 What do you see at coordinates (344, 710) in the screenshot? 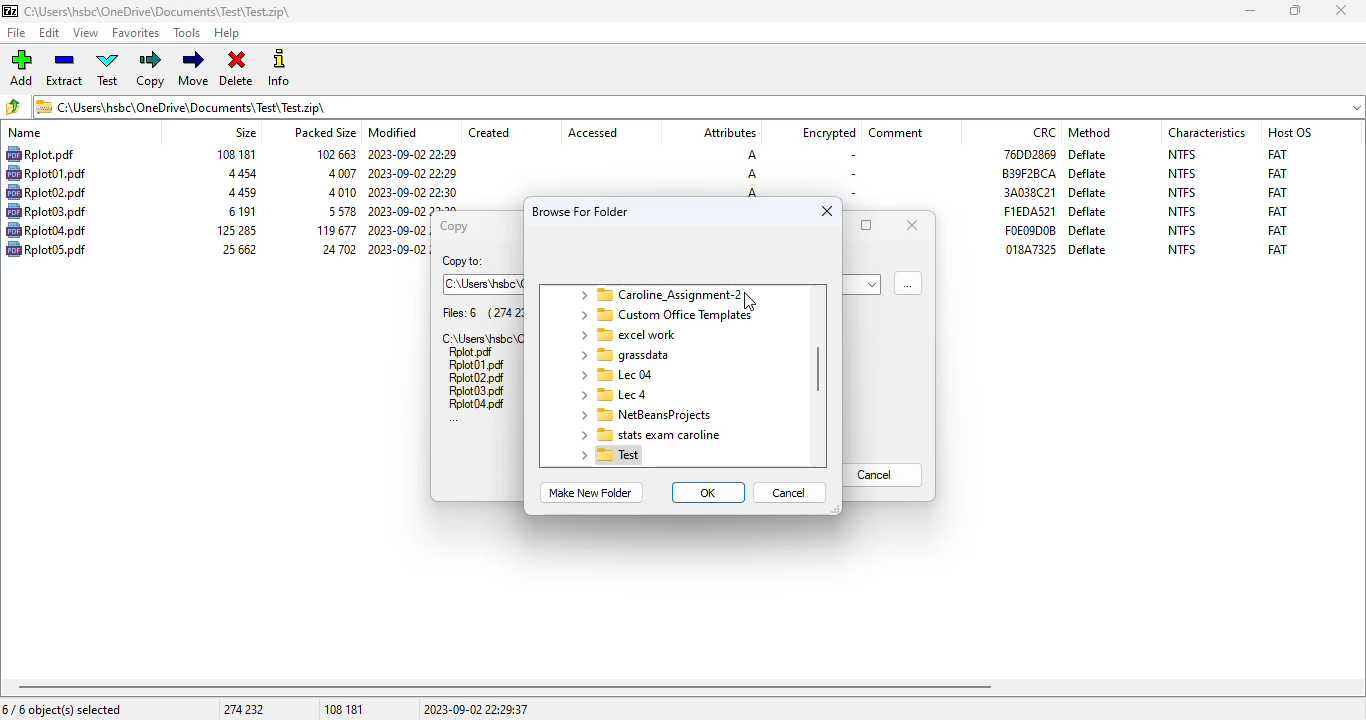
I see `108 181` at bounding box center [344, 710].